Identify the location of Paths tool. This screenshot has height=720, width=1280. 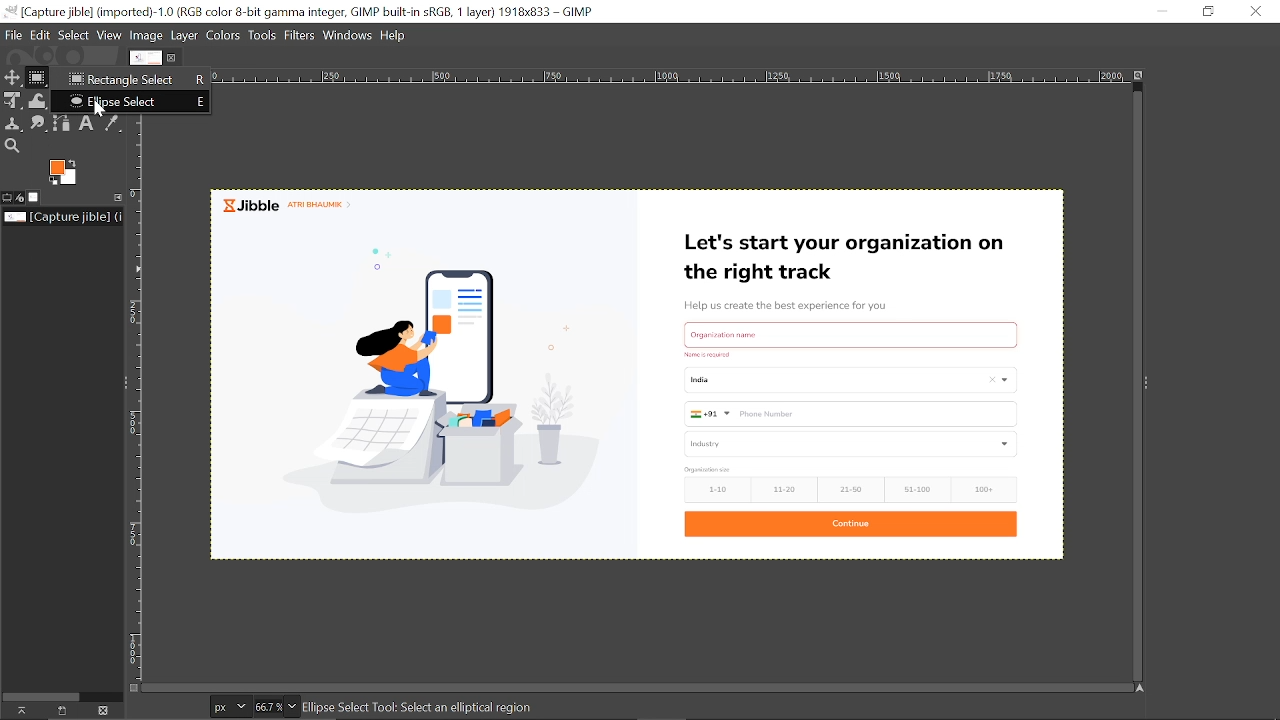
(64, 124).